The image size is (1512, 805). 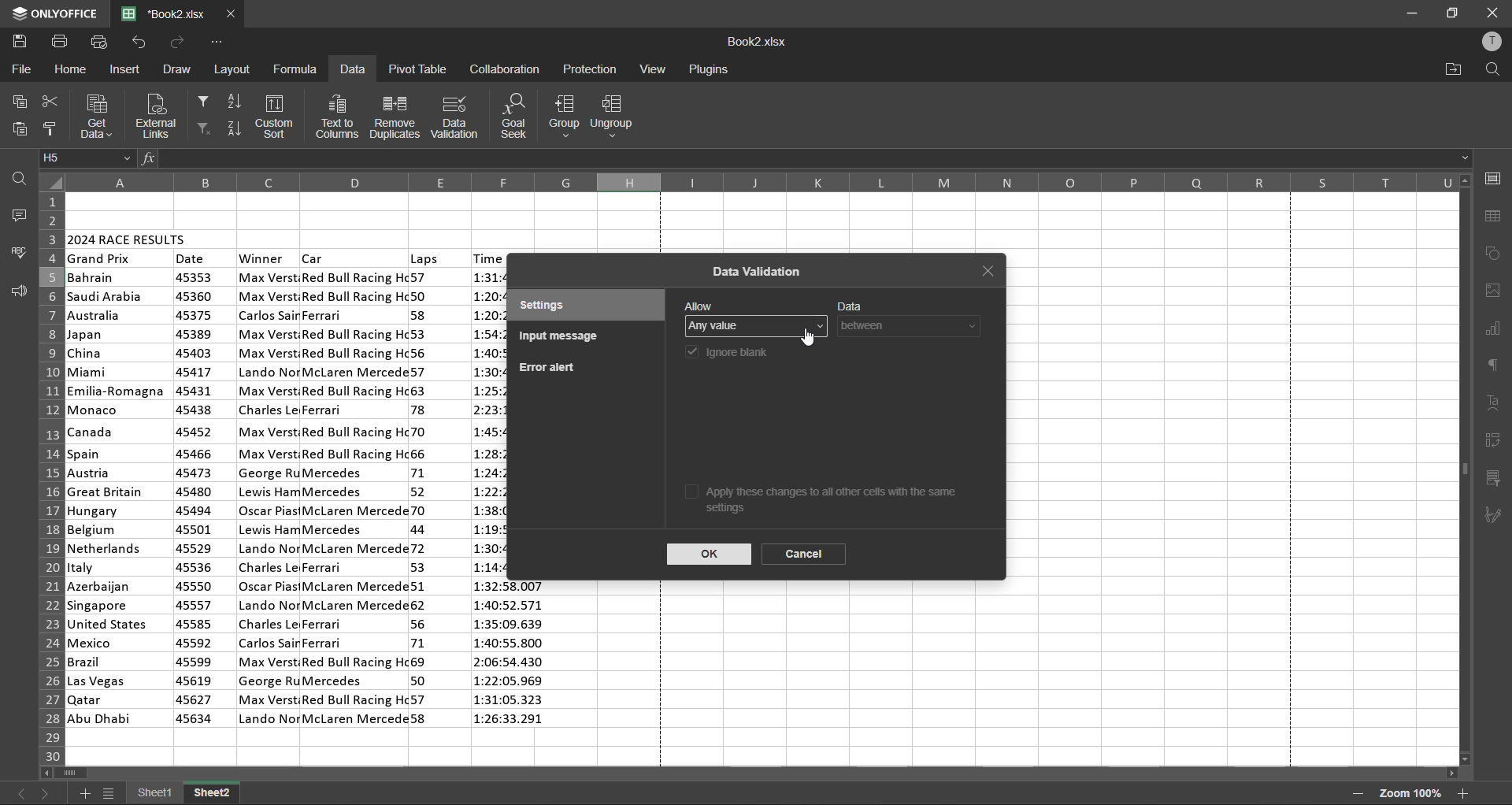 I want to click on shapes, so click(x=1494, y=254).